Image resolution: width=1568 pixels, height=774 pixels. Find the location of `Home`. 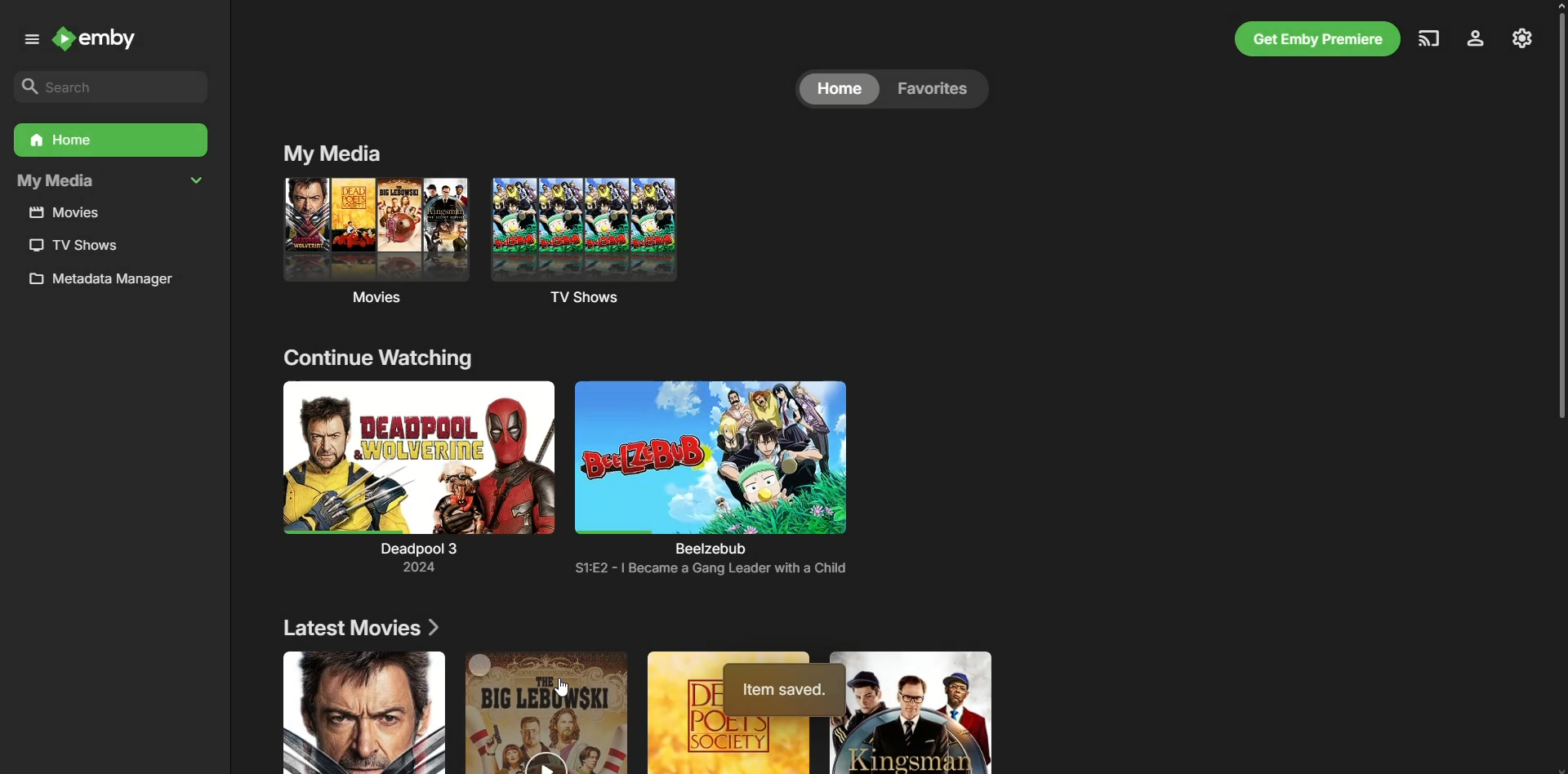

Home is located at coordinates (109, 140).